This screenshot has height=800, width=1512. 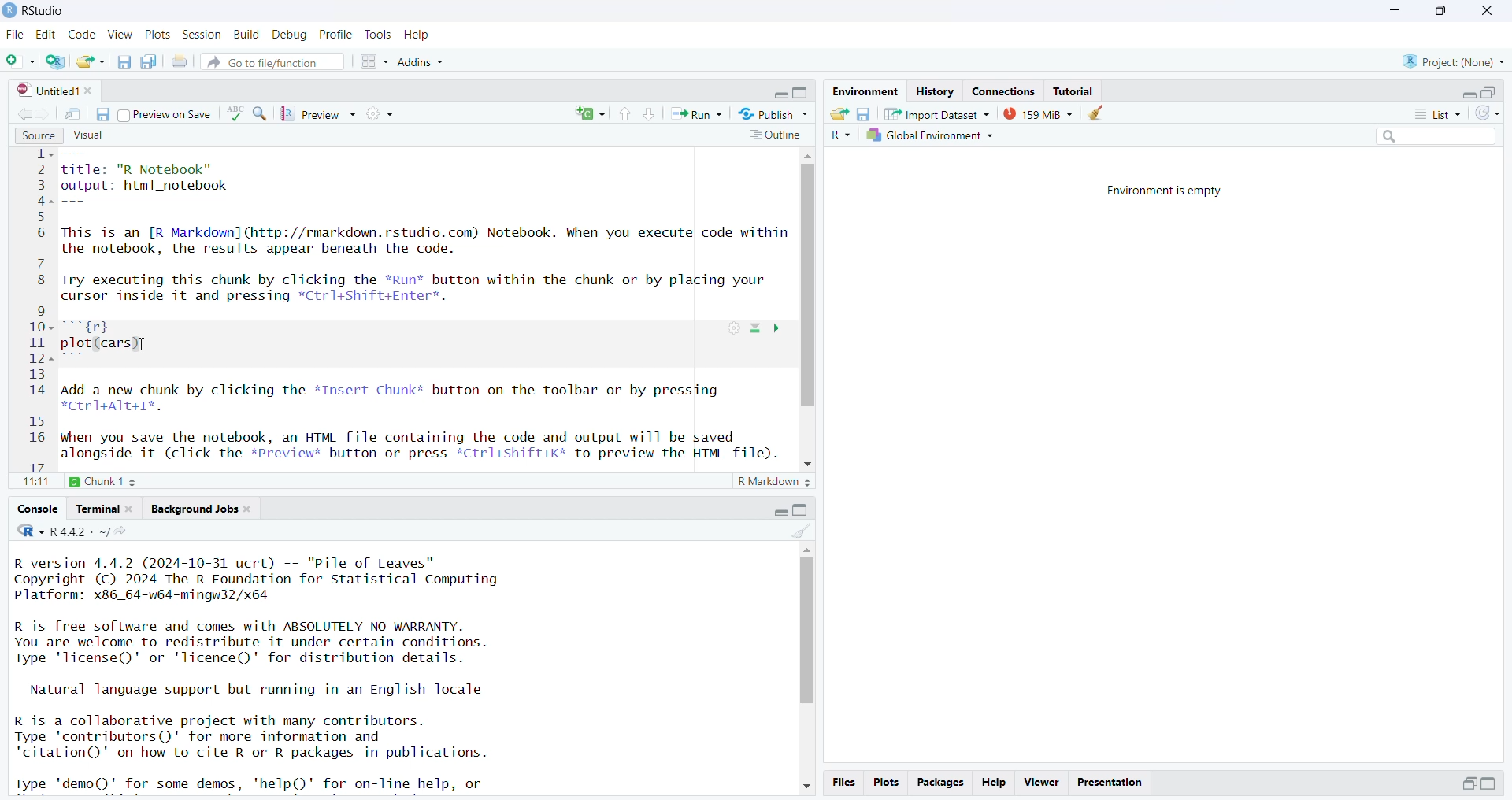 I want to click on collapse, so click(x=1492, y=92).